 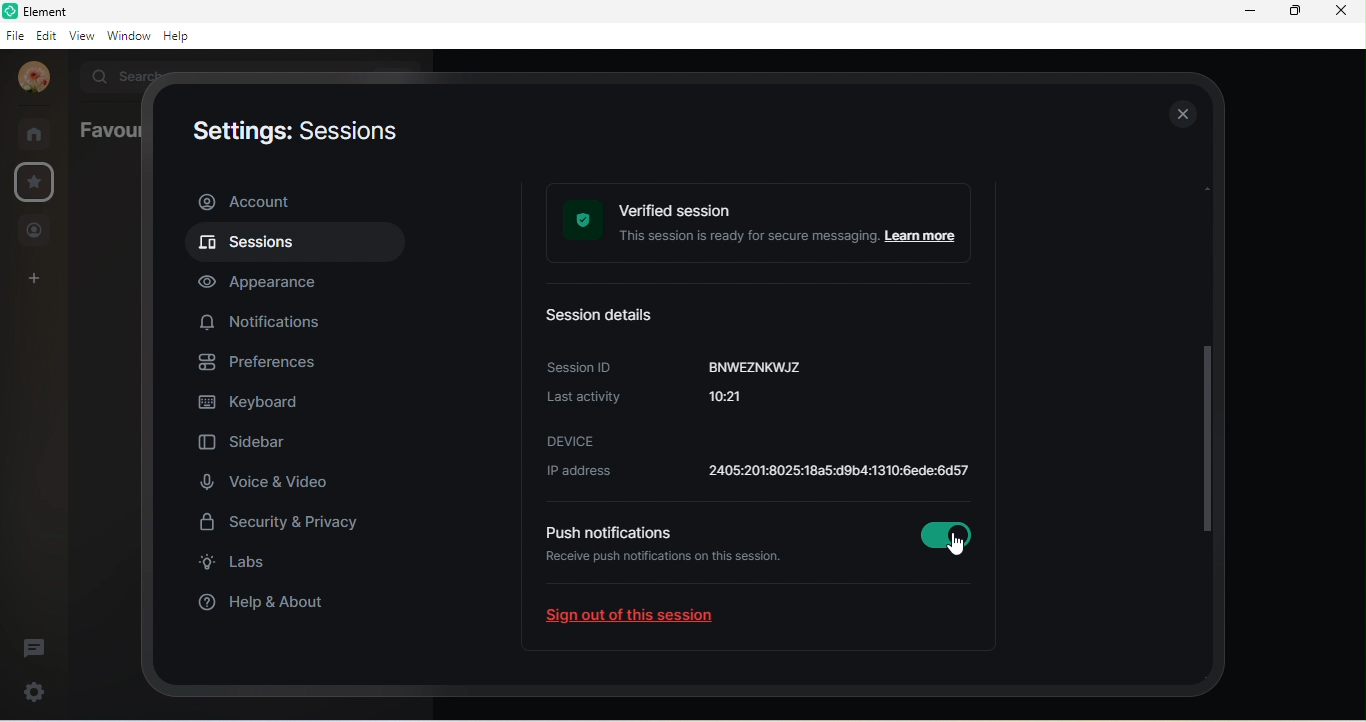 I want to click on session id: BNWEZNKWJZ, so click(x=679, y=366).